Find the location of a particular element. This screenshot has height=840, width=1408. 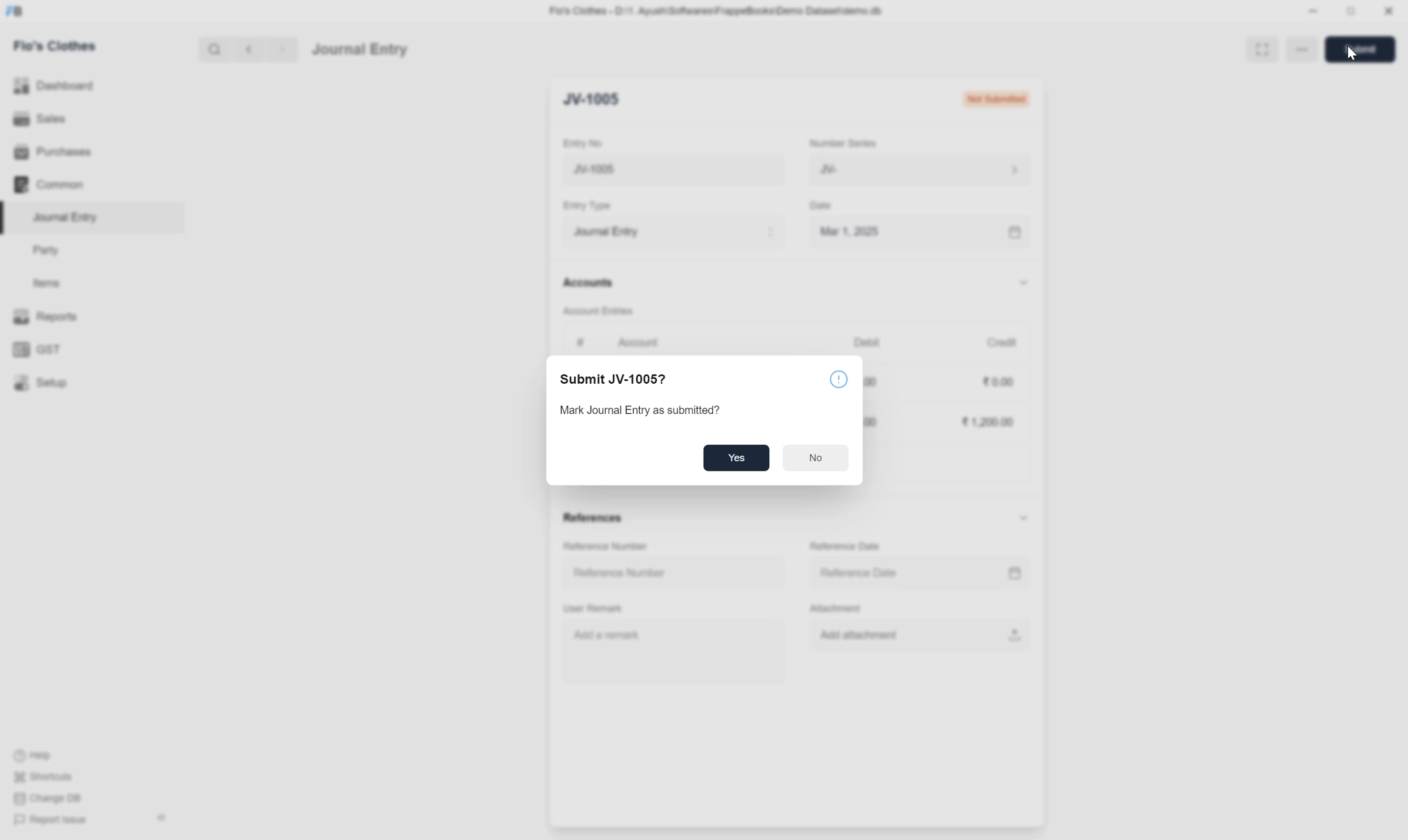

JV- is located at coordinates (921, 169).